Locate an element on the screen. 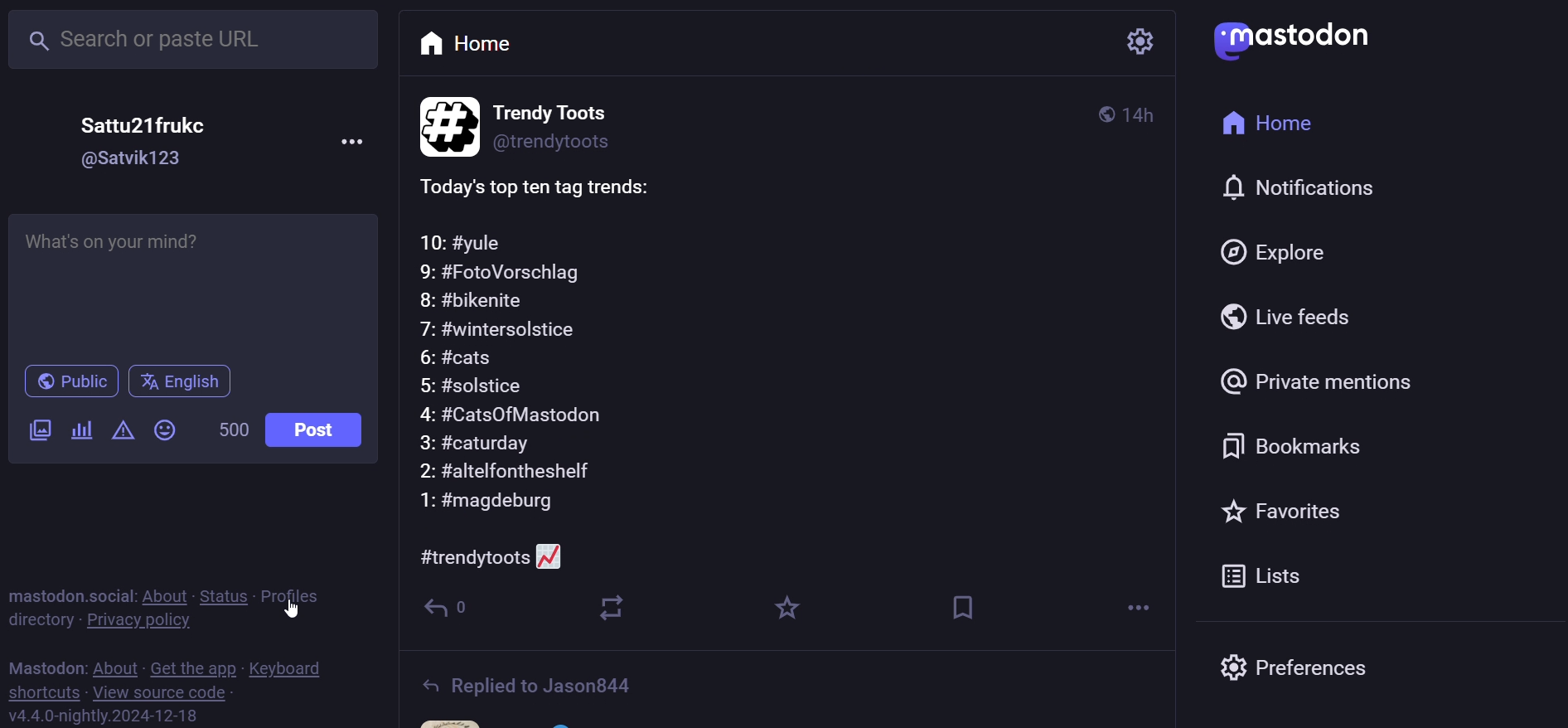 This screenshot has height=728, width=1568. public is located at coordinates (70, 384).